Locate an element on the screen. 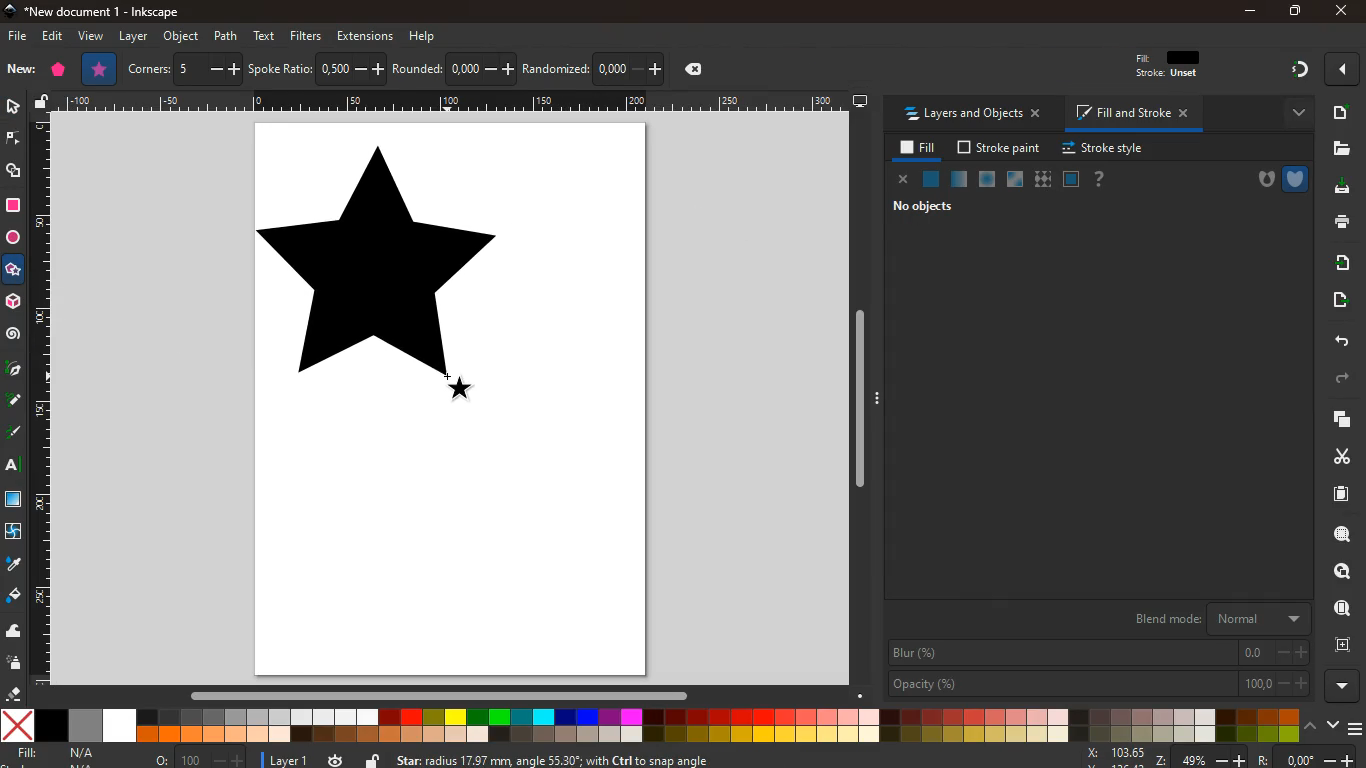 This screenshot has height=768, width=1366. path is located at coordinates (228, 36).